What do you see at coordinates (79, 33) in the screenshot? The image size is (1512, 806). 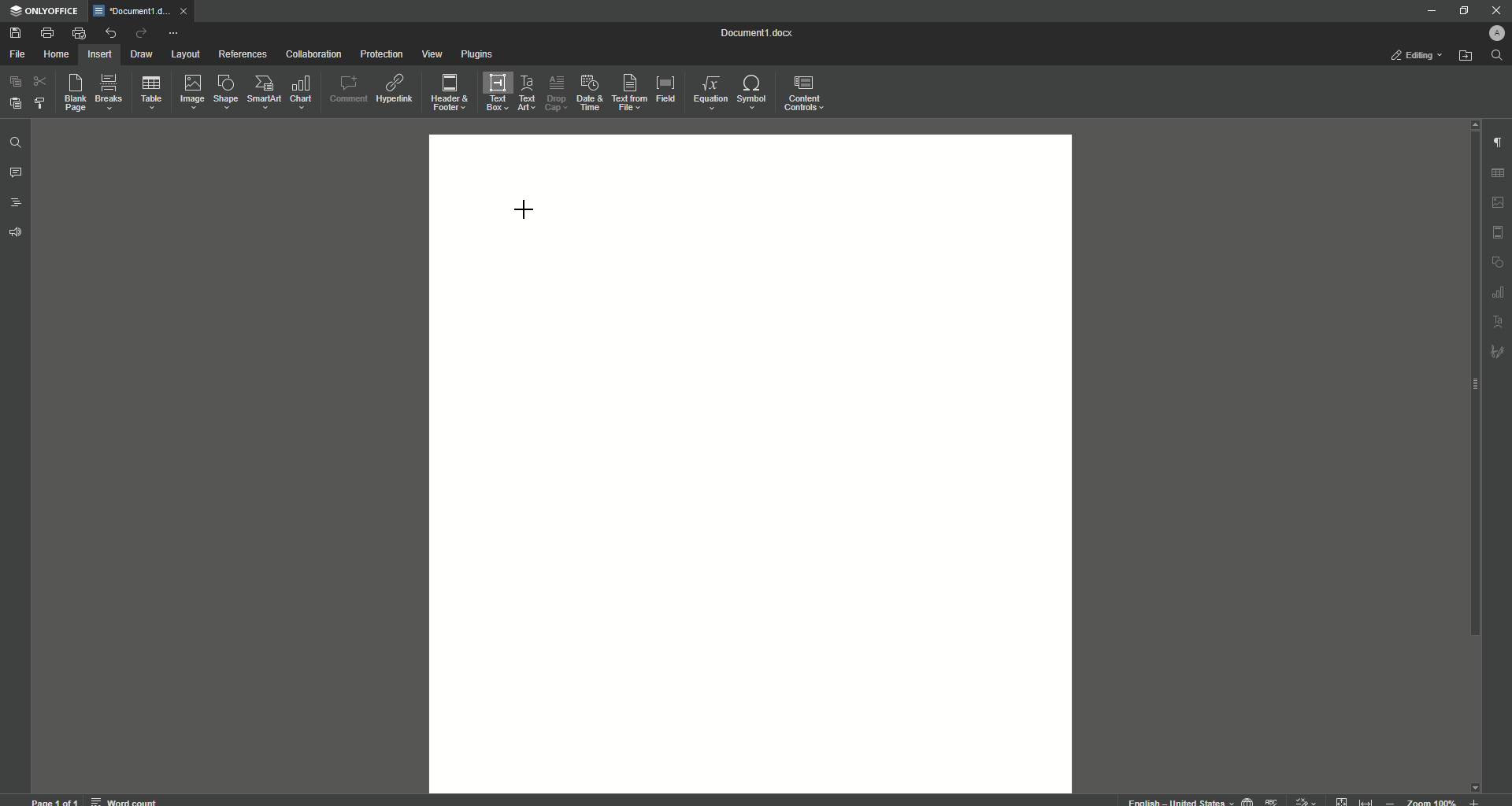 I see `Quick Print` at bounding box center [79, 33].